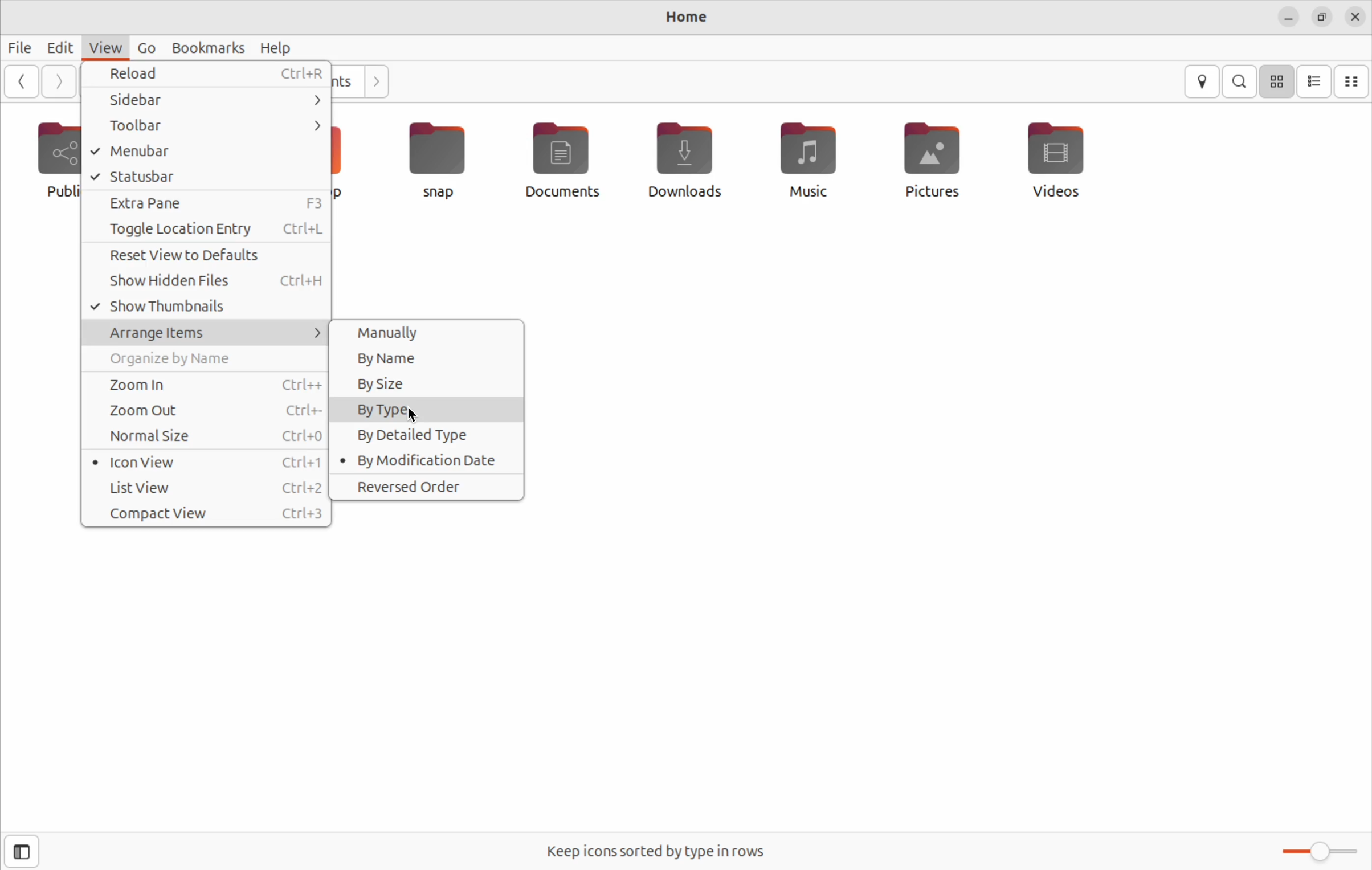  I want to click on public , so click(46, 160).